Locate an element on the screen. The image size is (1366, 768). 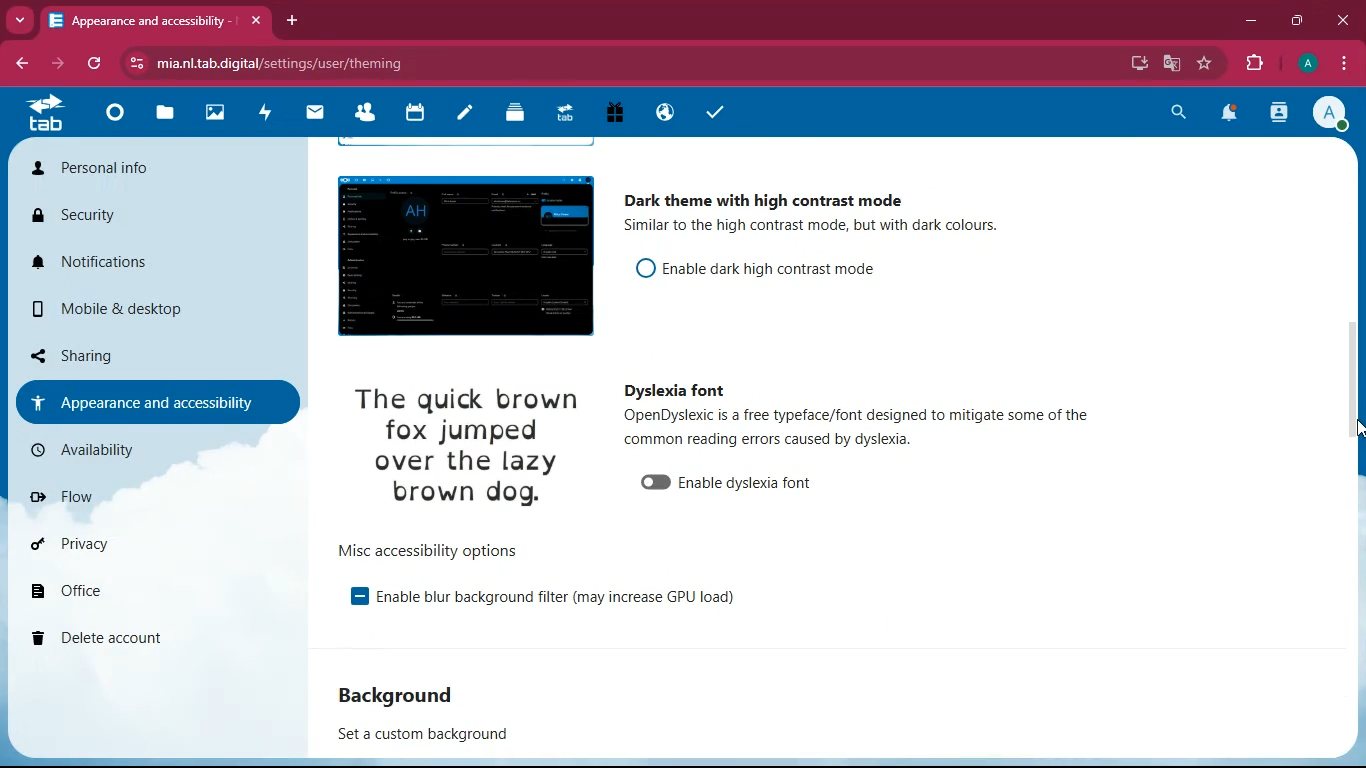
profile is located at coordinates (1307, 63).